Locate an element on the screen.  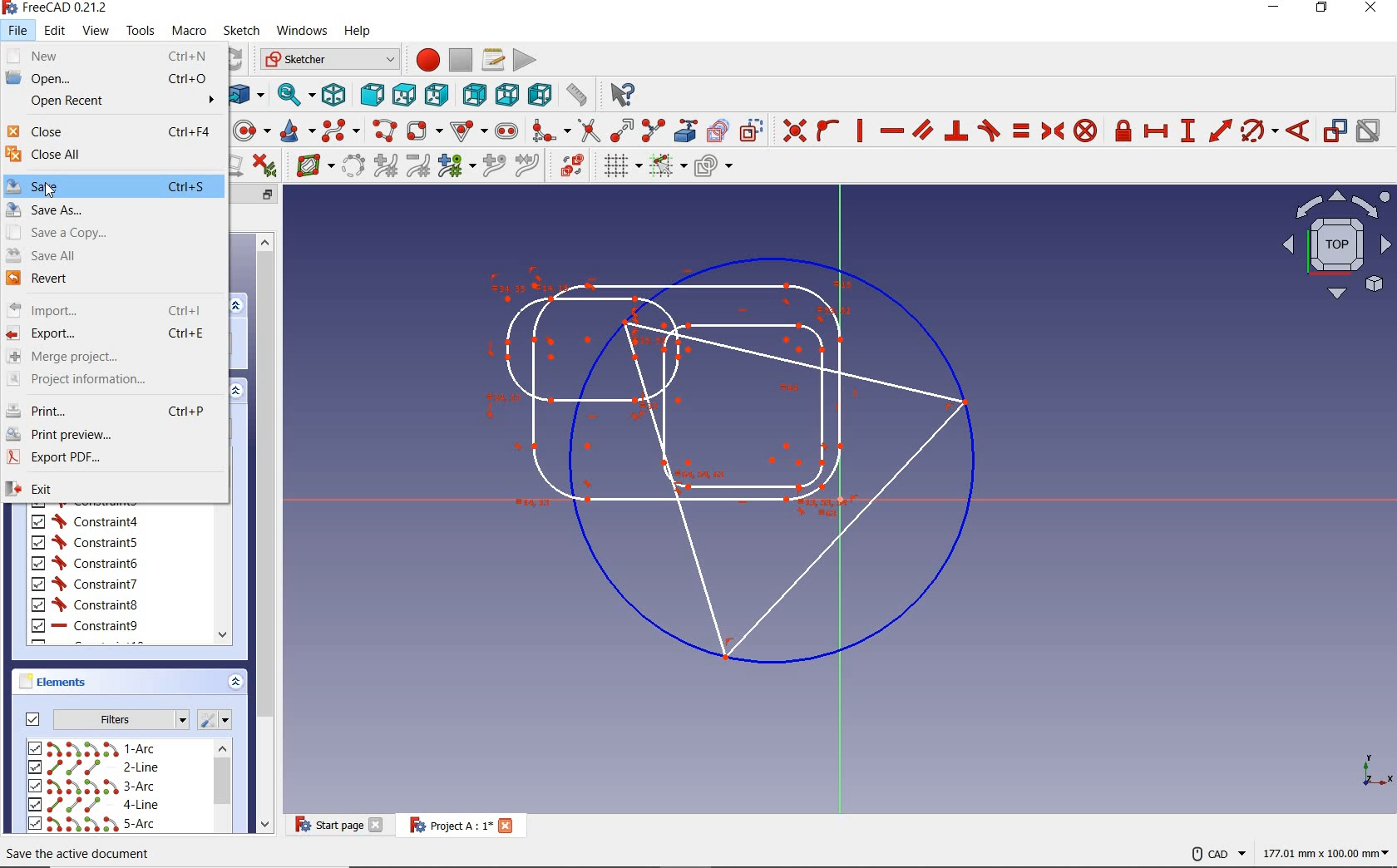
remove axes allignment is located at coordinates (239, 167).